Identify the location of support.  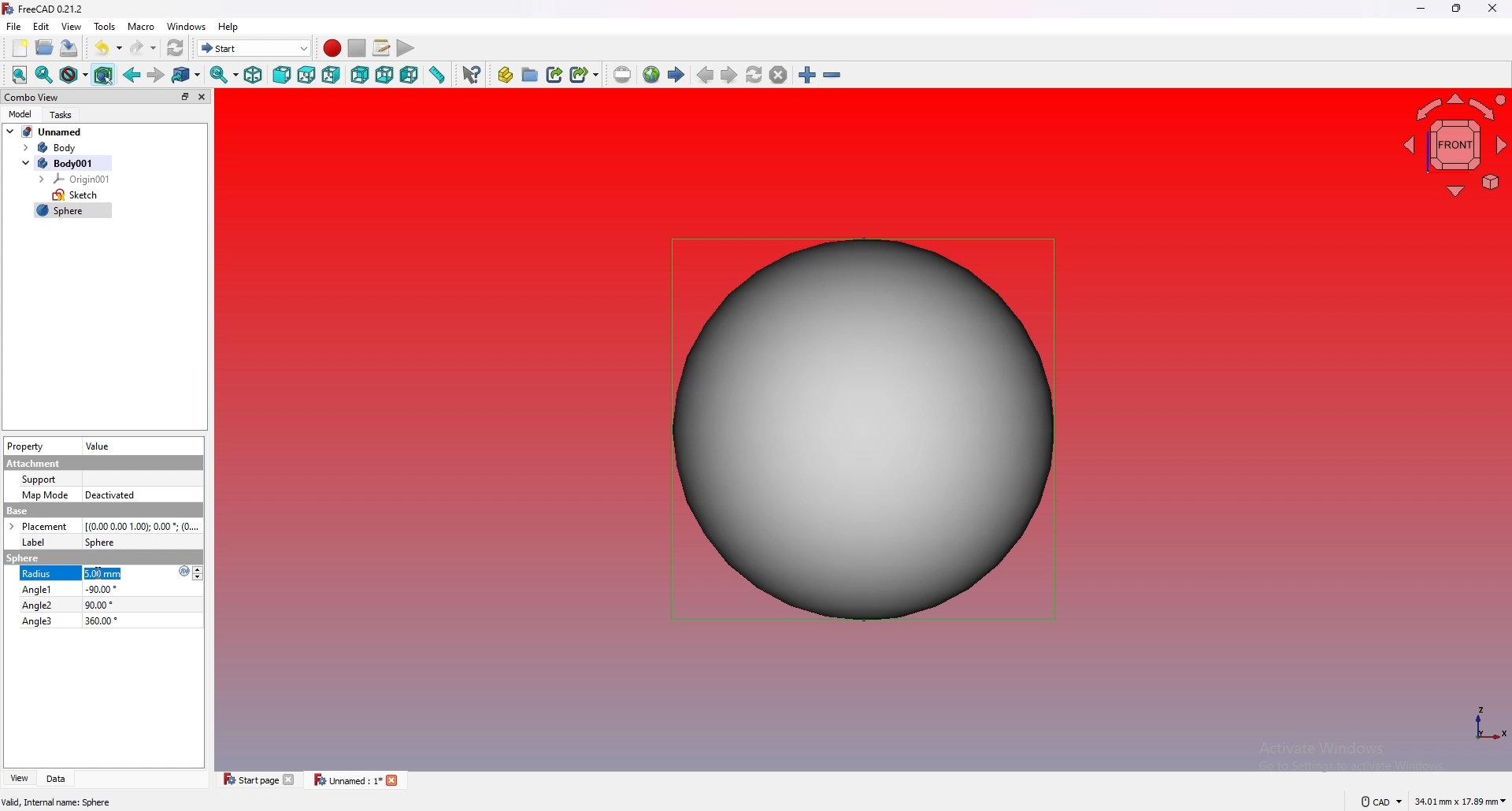
(42, 480).